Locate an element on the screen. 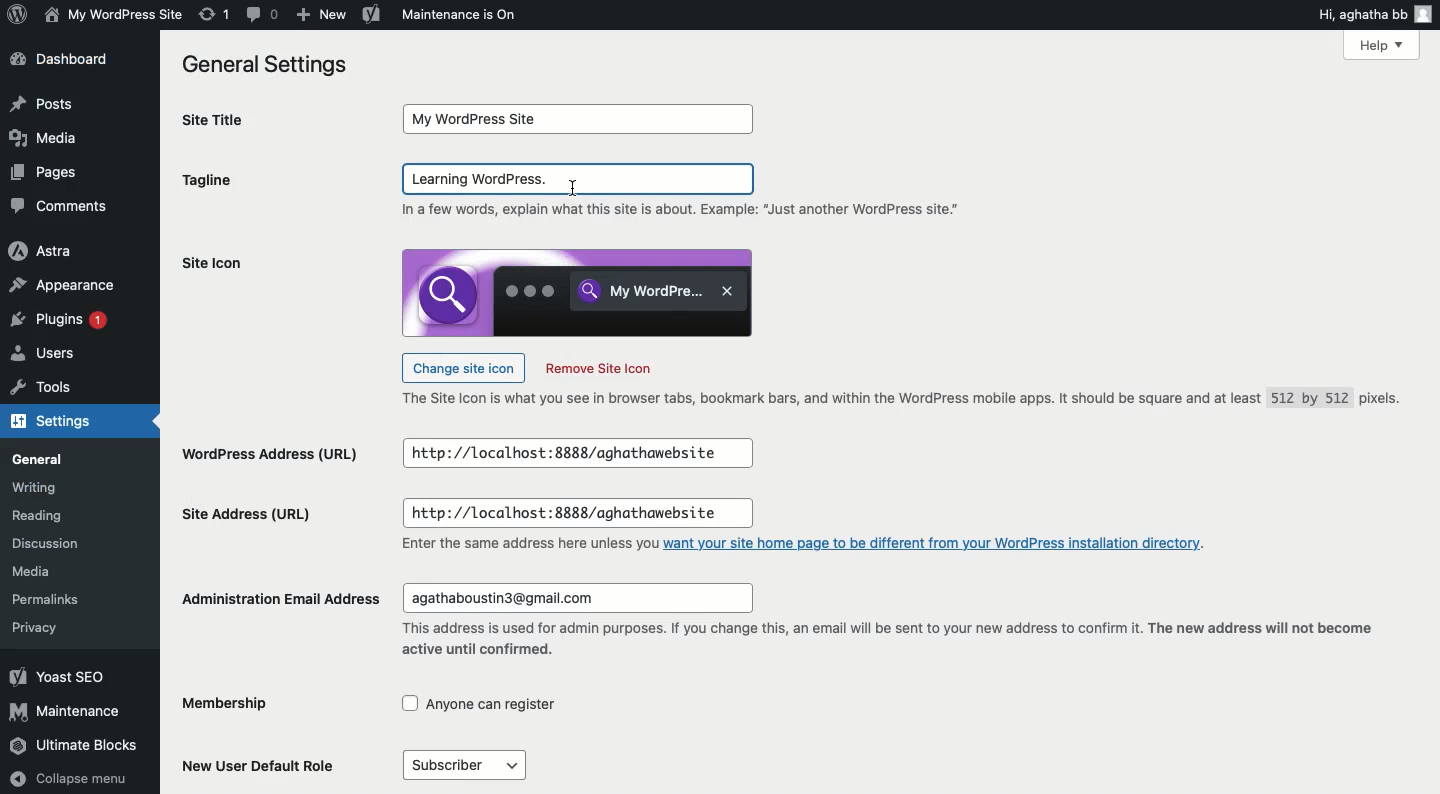 This screenshot has height=794, width=1440. Astra is located at coordinates (42, 252).